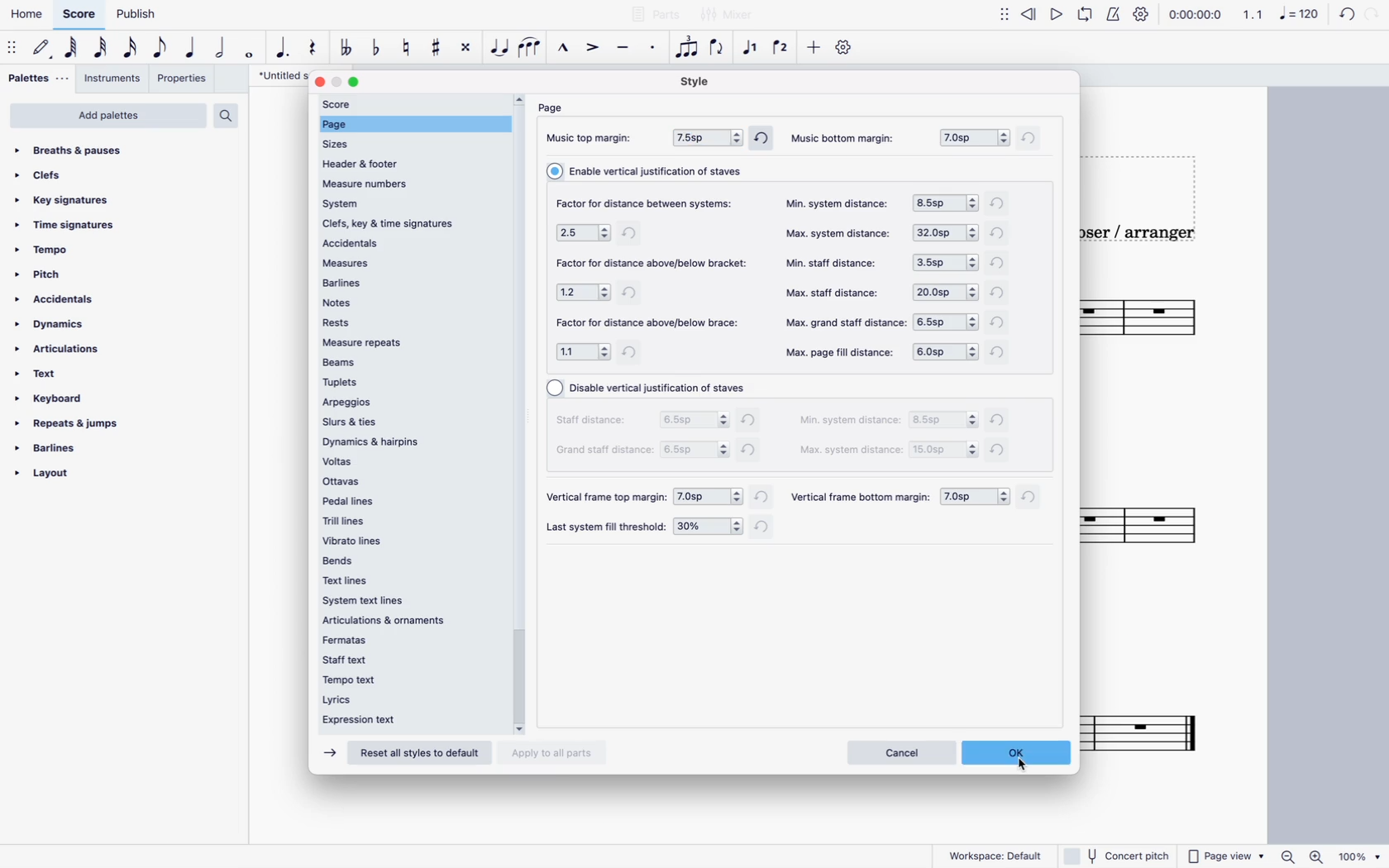 The height and width of the screenshot is (868, 1389). Describe the element at coordinates (346, 144) in the screenshot. I see `sizes` at that location.